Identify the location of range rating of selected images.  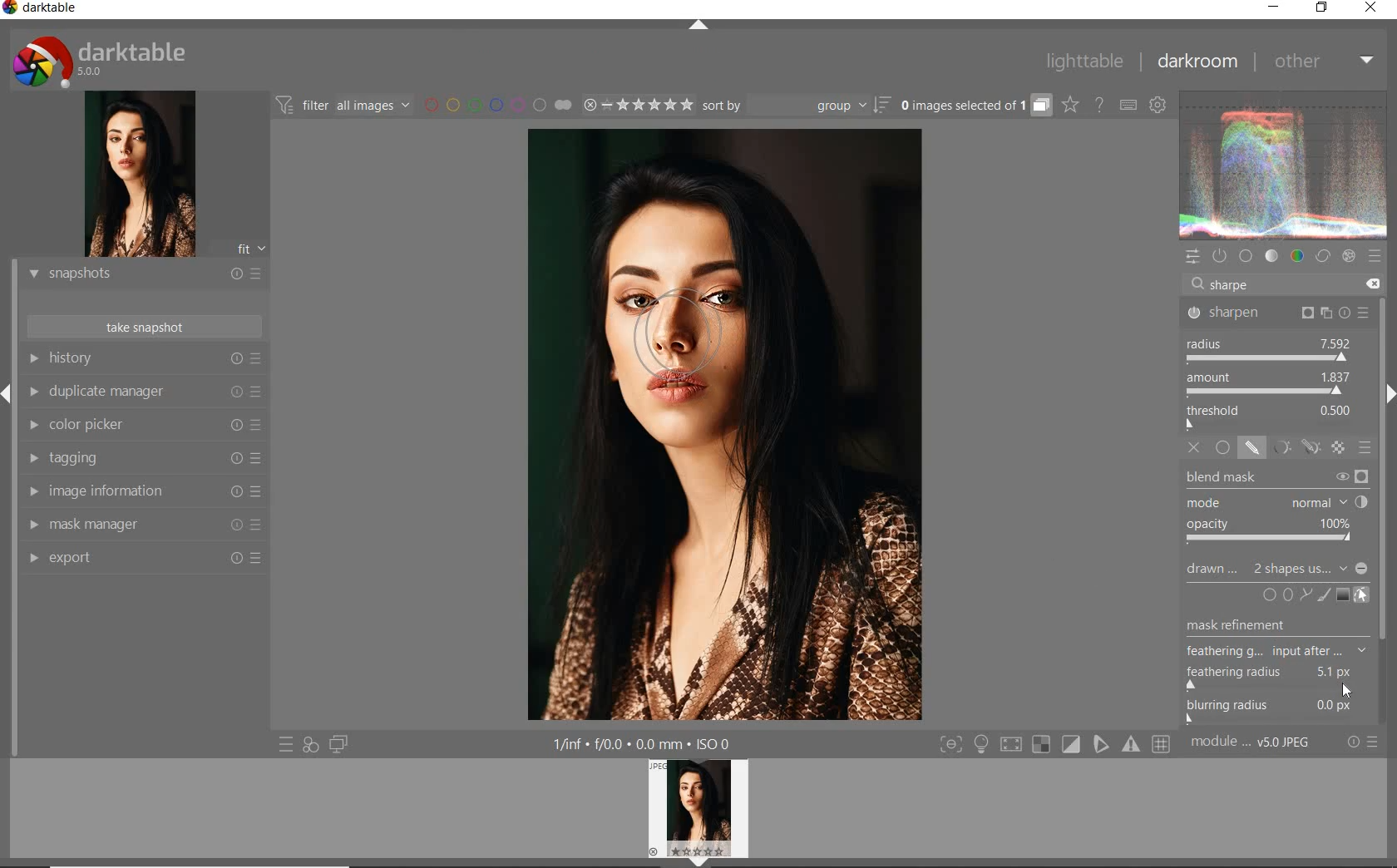
(635, 106).